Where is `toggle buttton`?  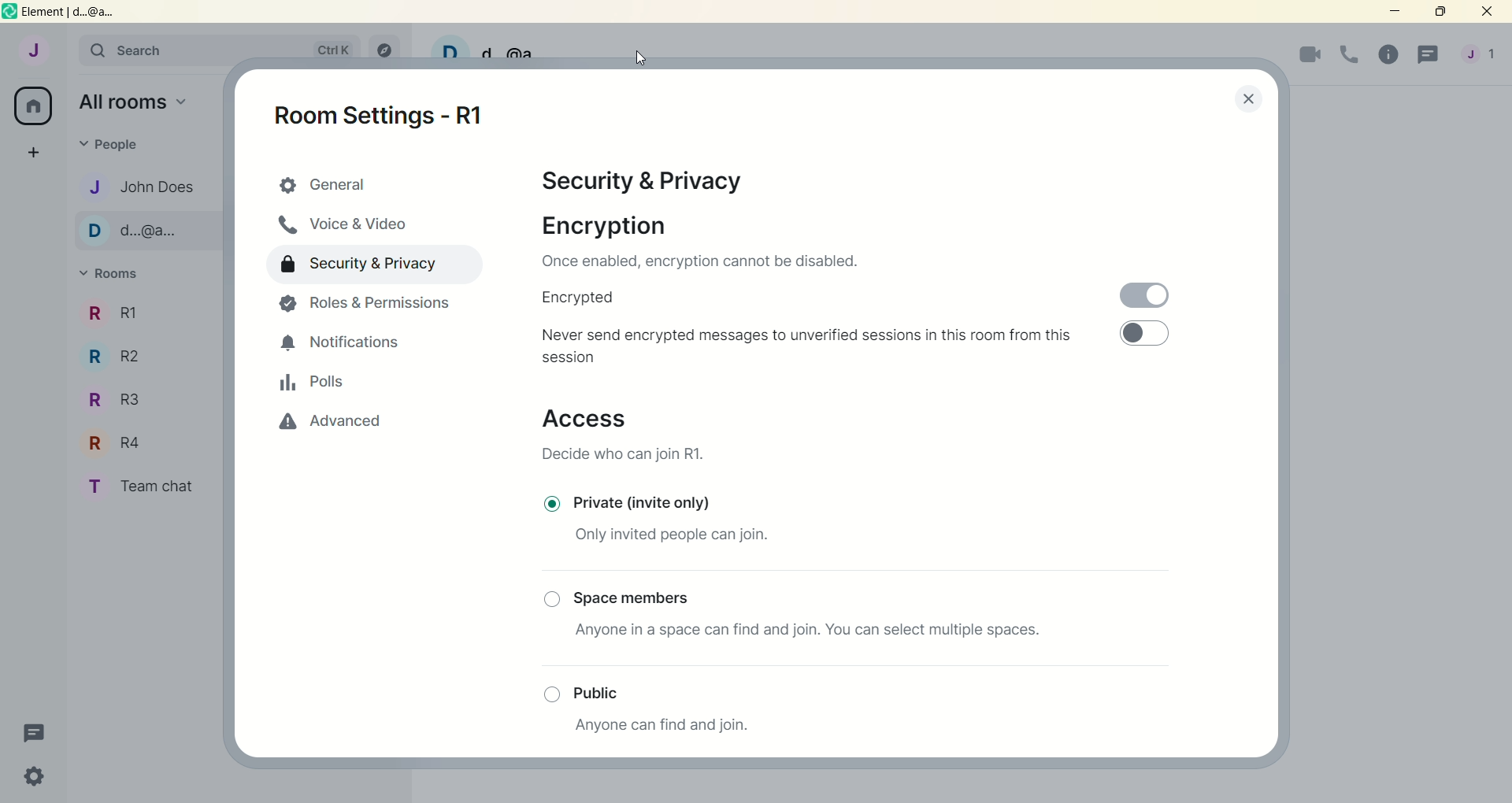 toggle buttton is located at coordinates (1151, 289).